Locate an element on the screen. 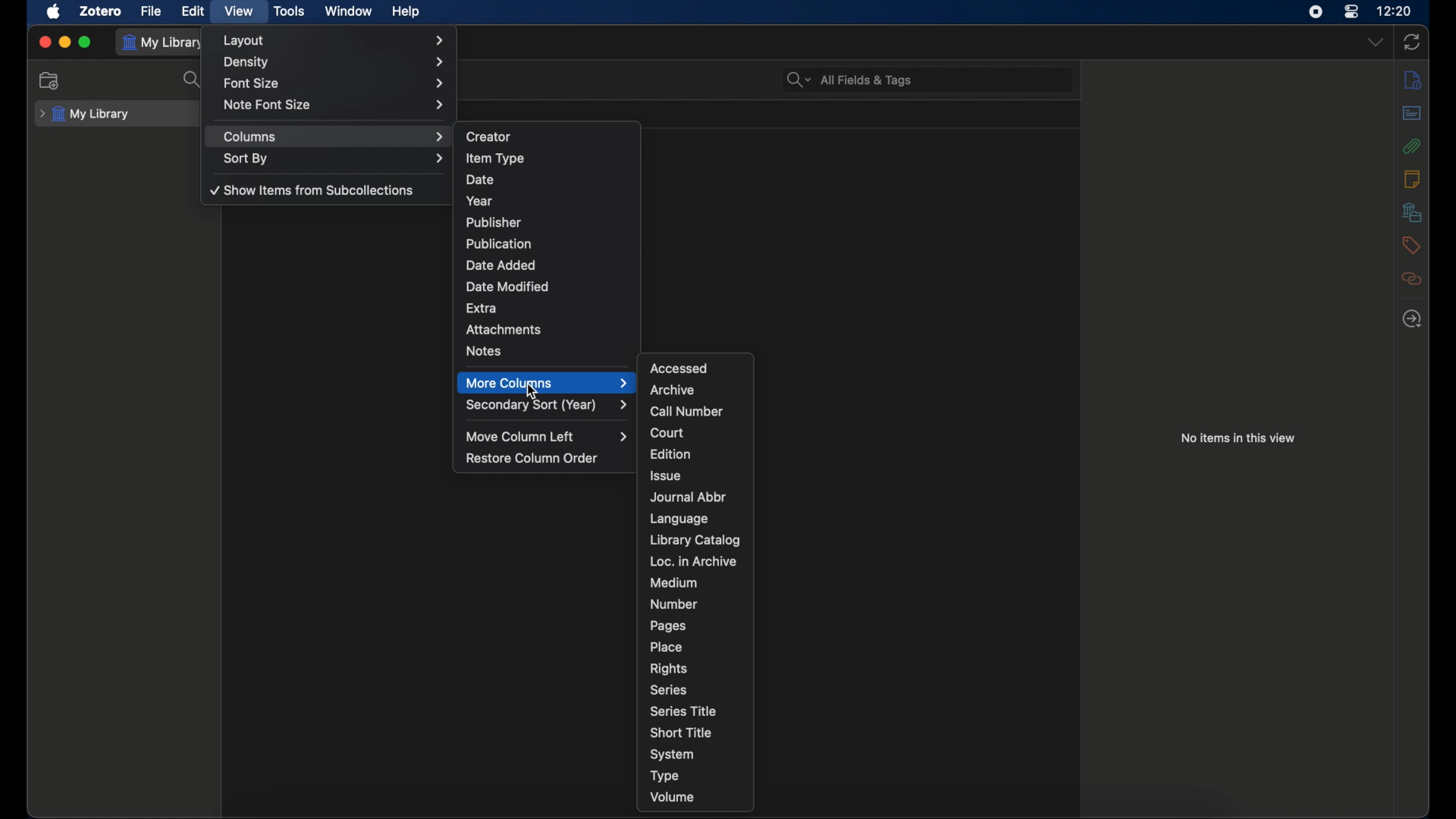  cursor is located at coordinates (531, 392).